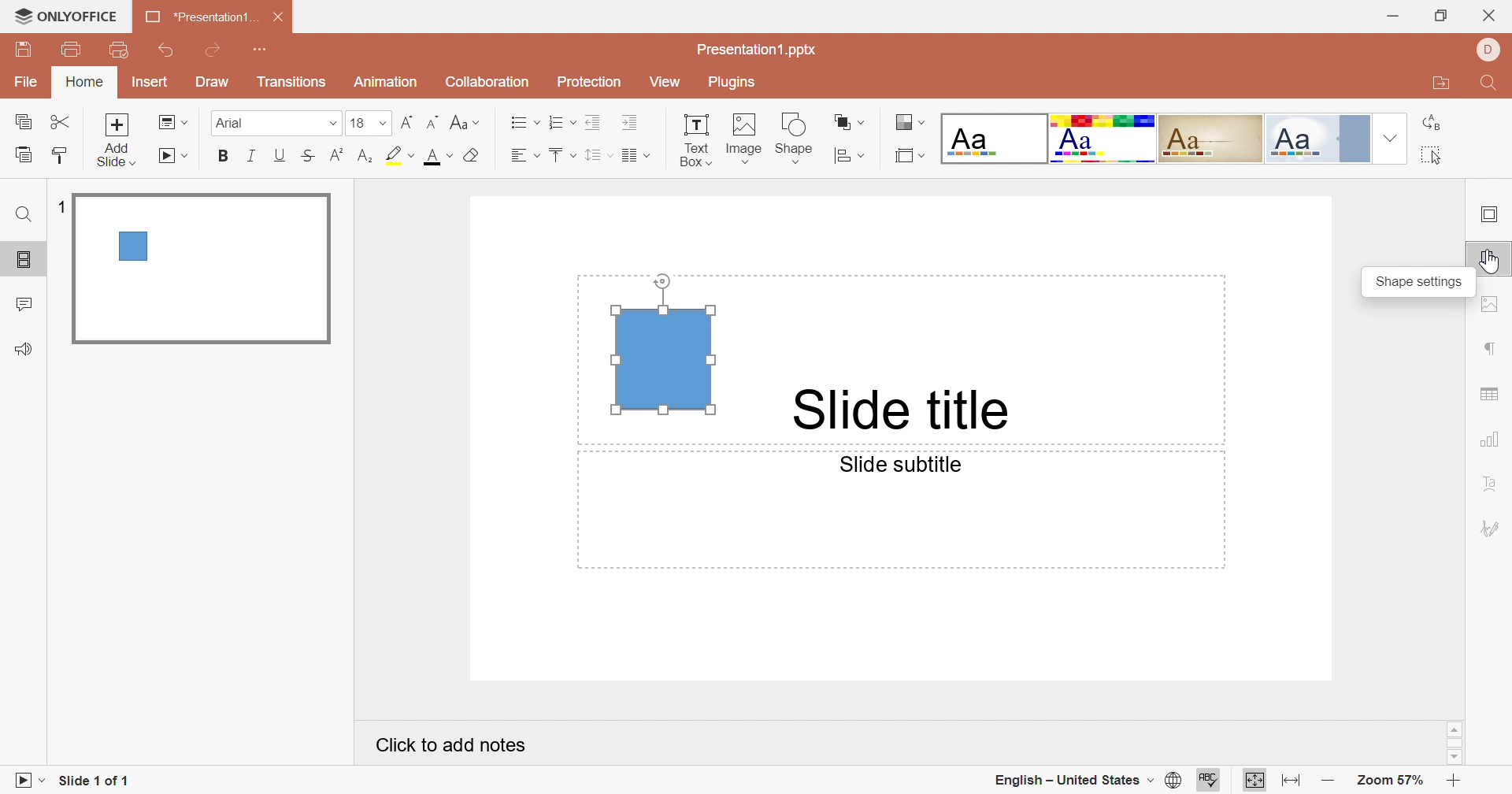  Describe the element at coordinates (560, 155) in the screenshot. I see `Align Top` at that location.